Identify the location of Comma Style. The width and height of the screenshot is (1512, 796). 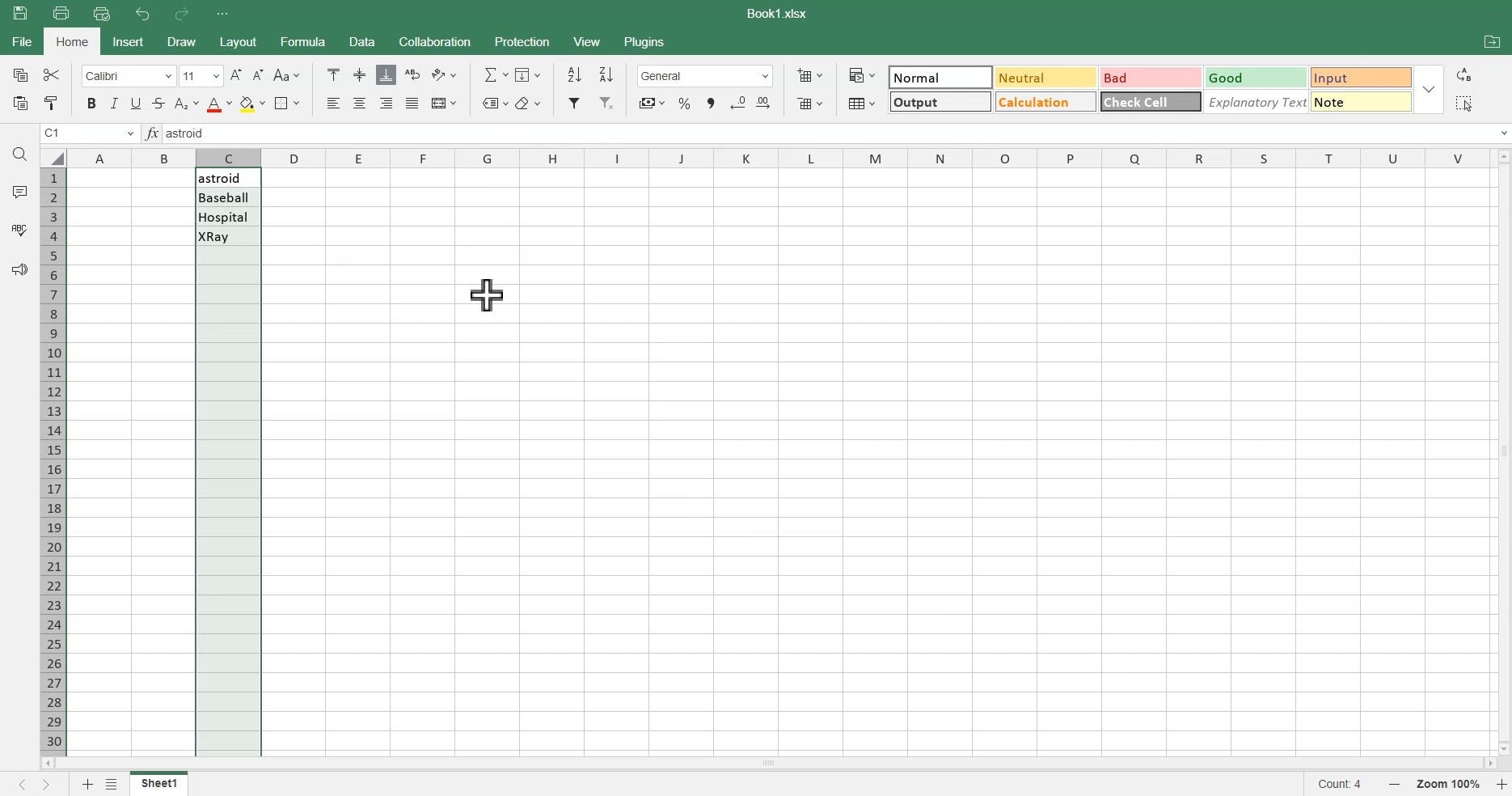
(712, 104).